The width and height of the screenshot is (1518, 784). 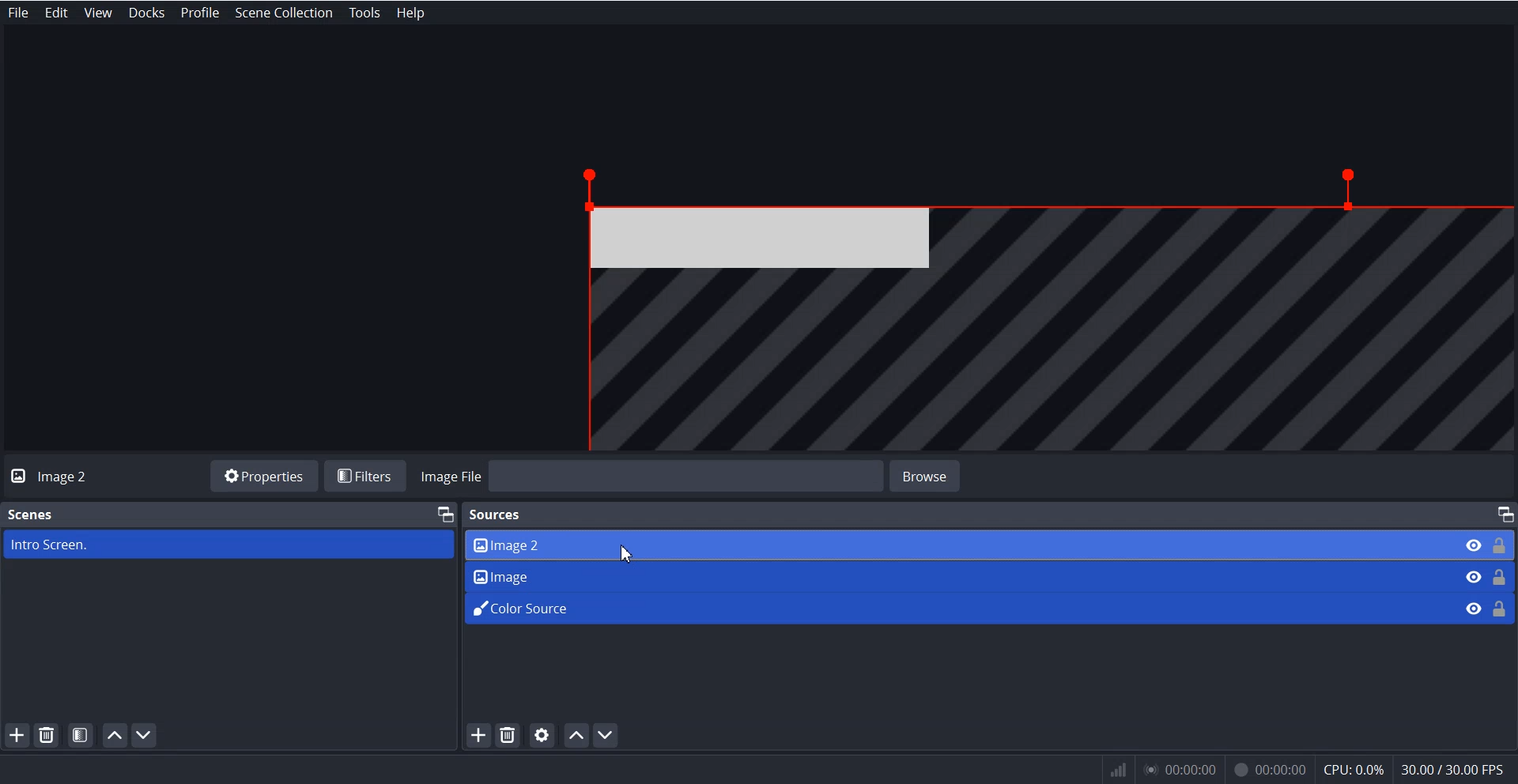 What do you see at coordinates (542, 735) in the screenshot?
I see `Open source properties` at bounding box center [542, 735].